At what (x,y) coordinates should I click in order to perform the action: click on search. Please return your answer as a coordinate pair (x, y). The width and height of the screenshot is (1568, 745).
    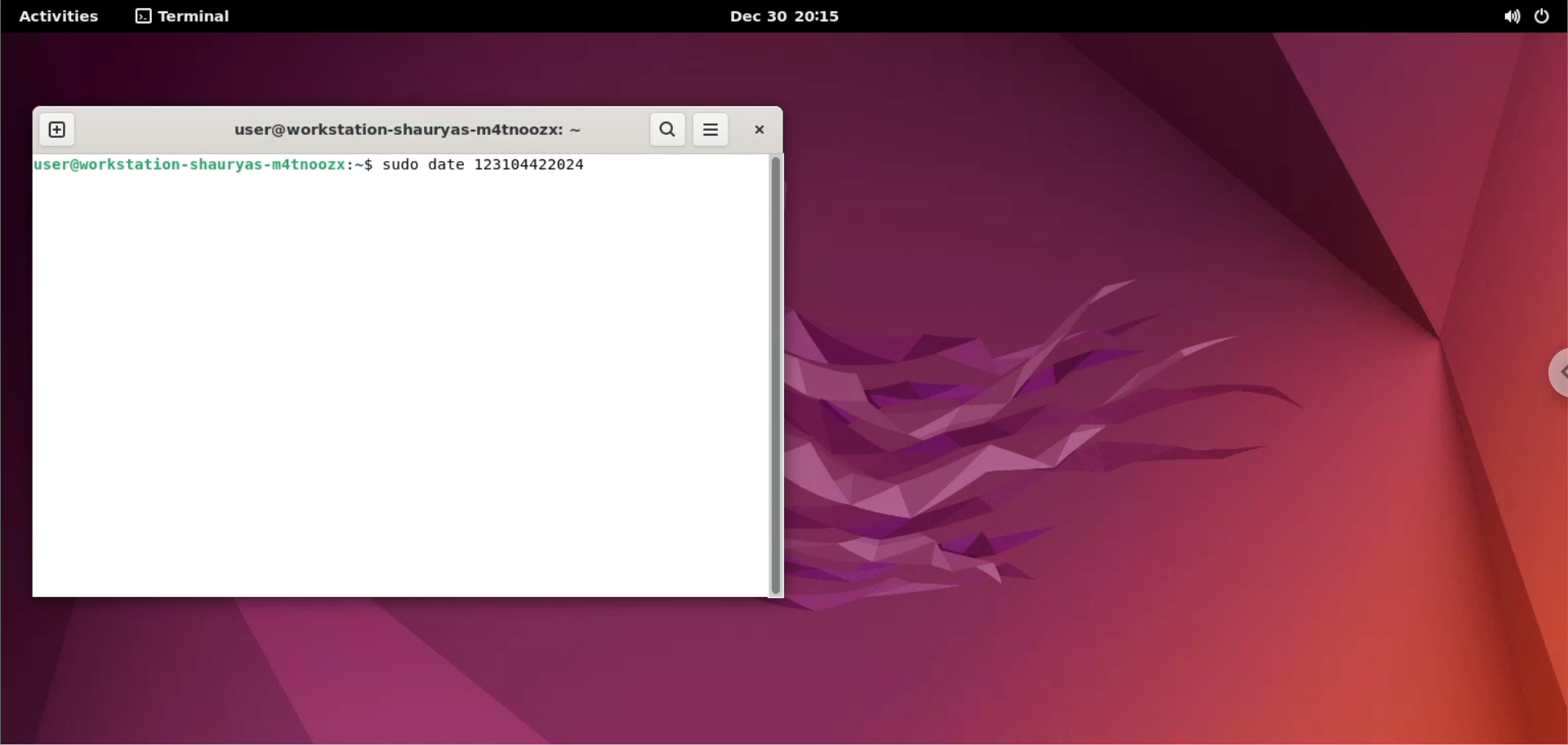
    Looking at the image, I should click on (668, 127).